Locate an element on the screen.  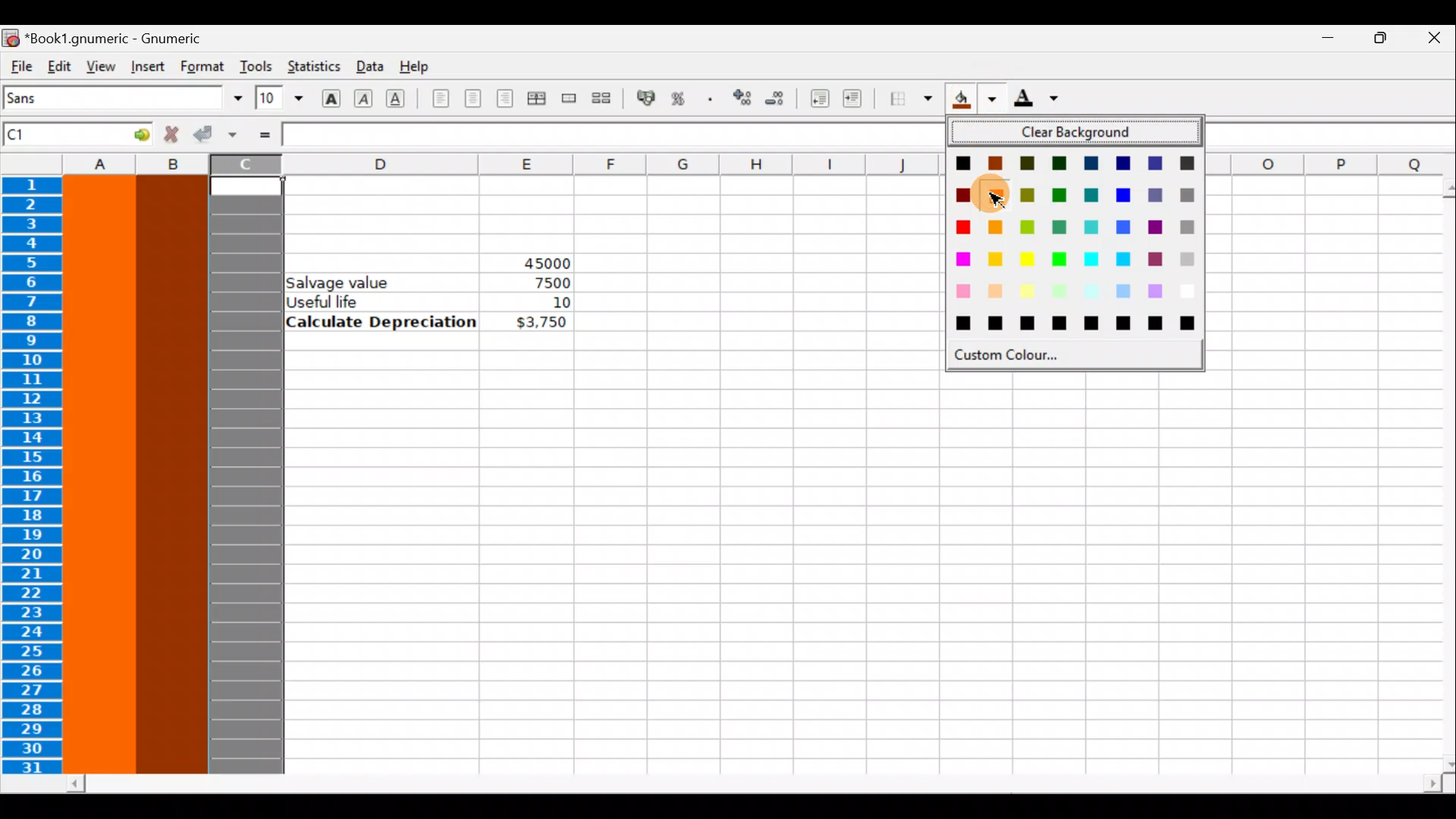
Merge a range of cells is located at coordinates (570, 101).